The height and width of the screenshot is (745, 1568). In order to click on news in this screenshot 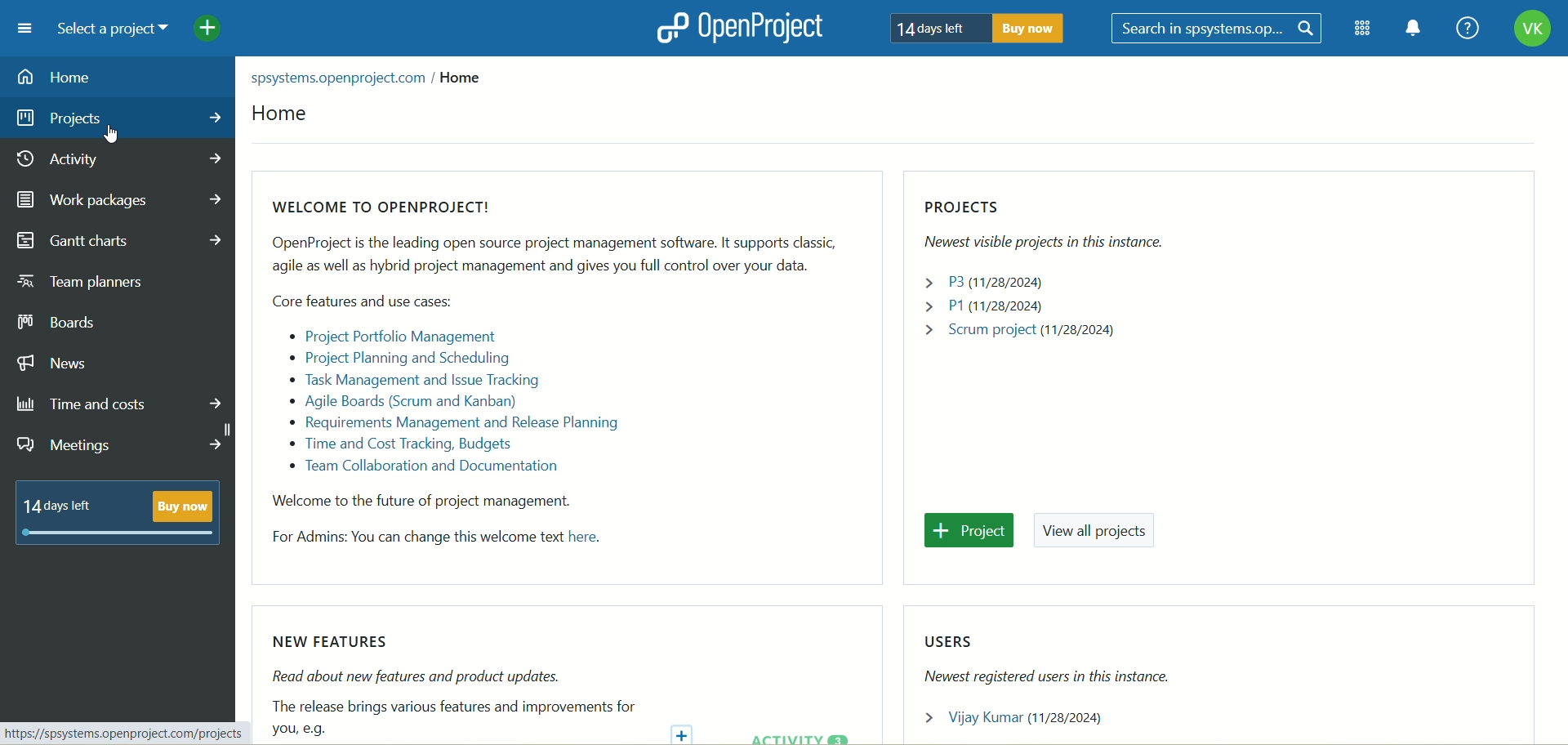, I will do `click(56, 364)`.